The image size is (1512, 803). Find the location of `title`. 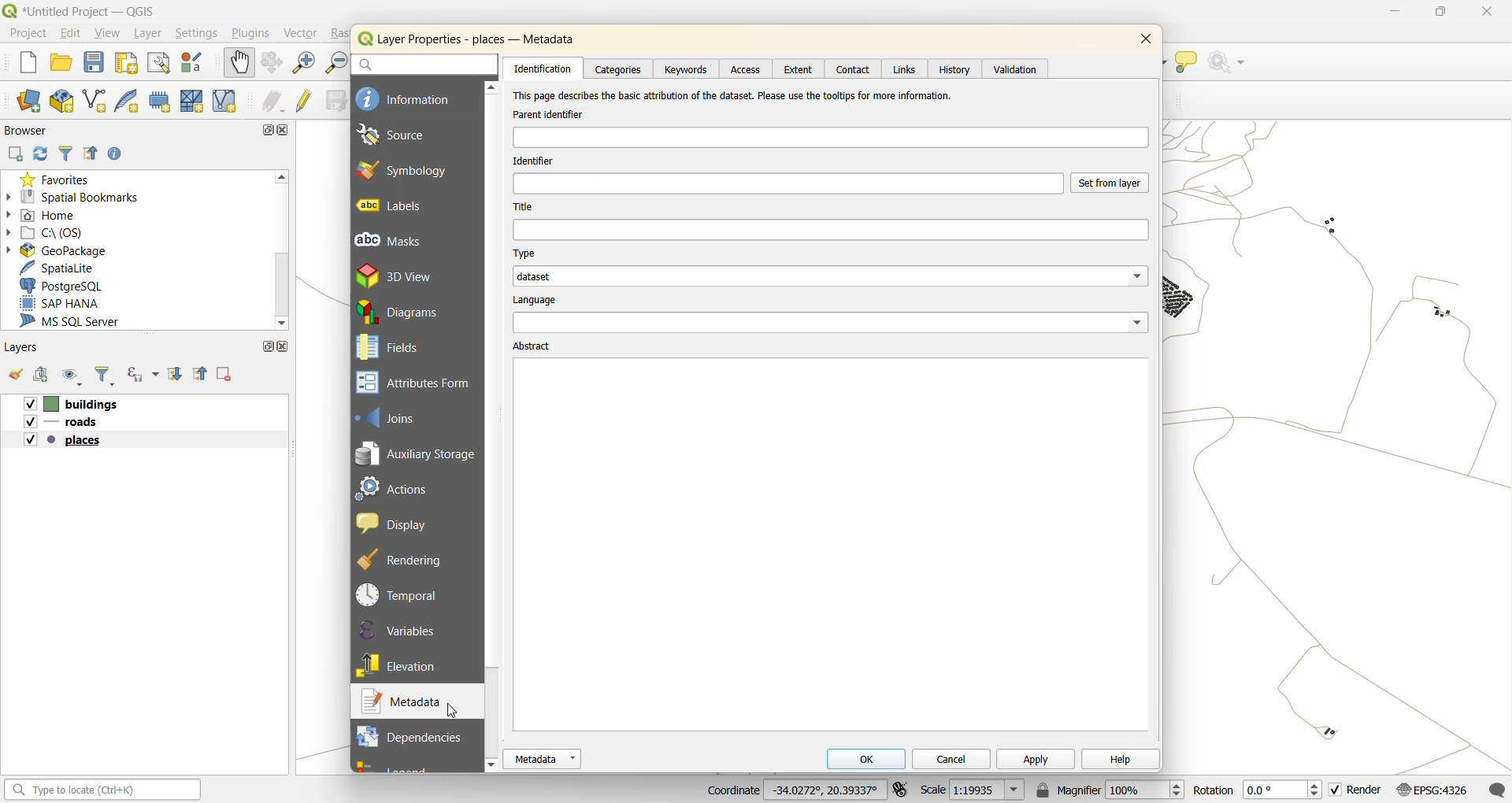

title is located at coordinates (825, 229).